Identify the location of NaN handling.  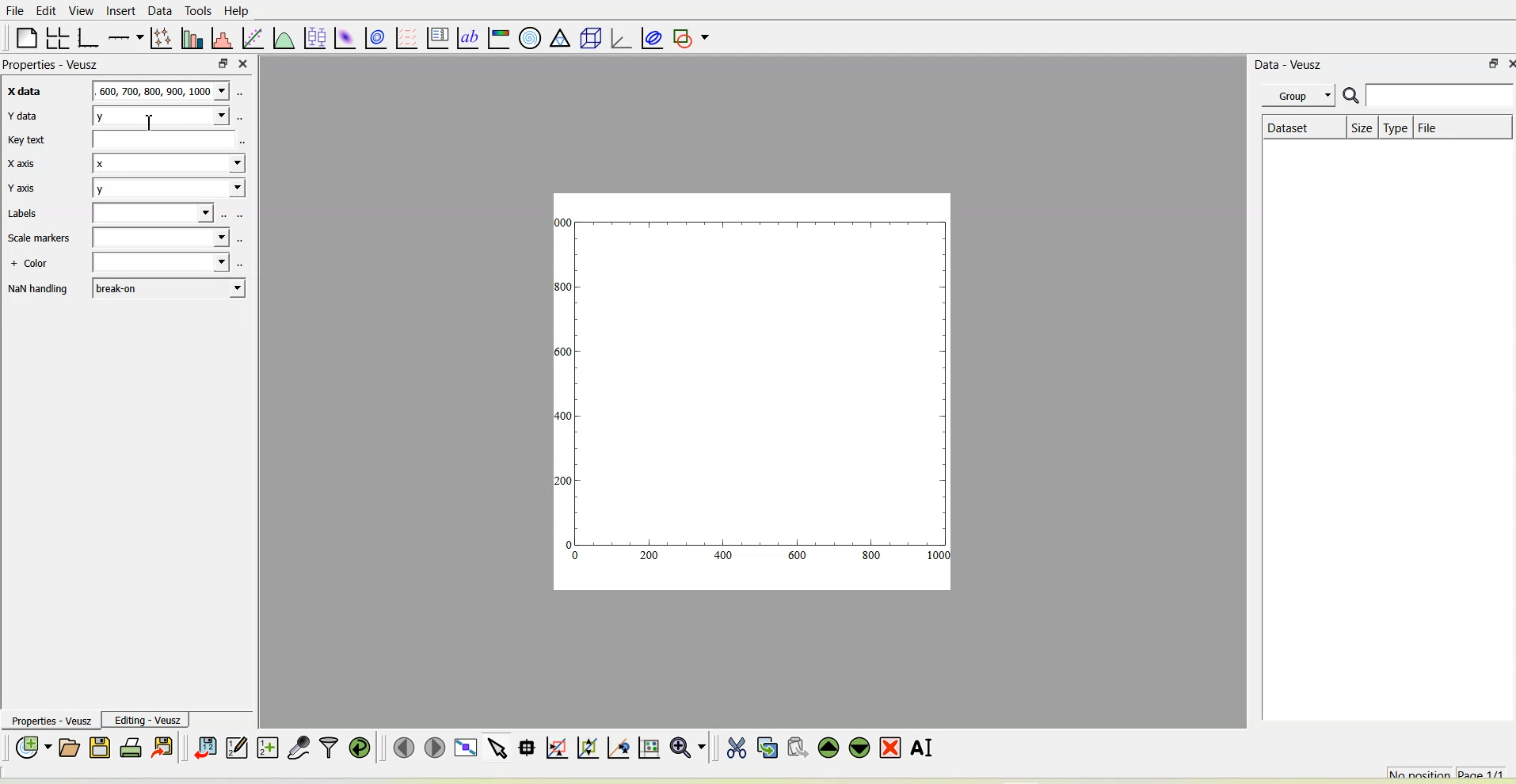
(38, 289).